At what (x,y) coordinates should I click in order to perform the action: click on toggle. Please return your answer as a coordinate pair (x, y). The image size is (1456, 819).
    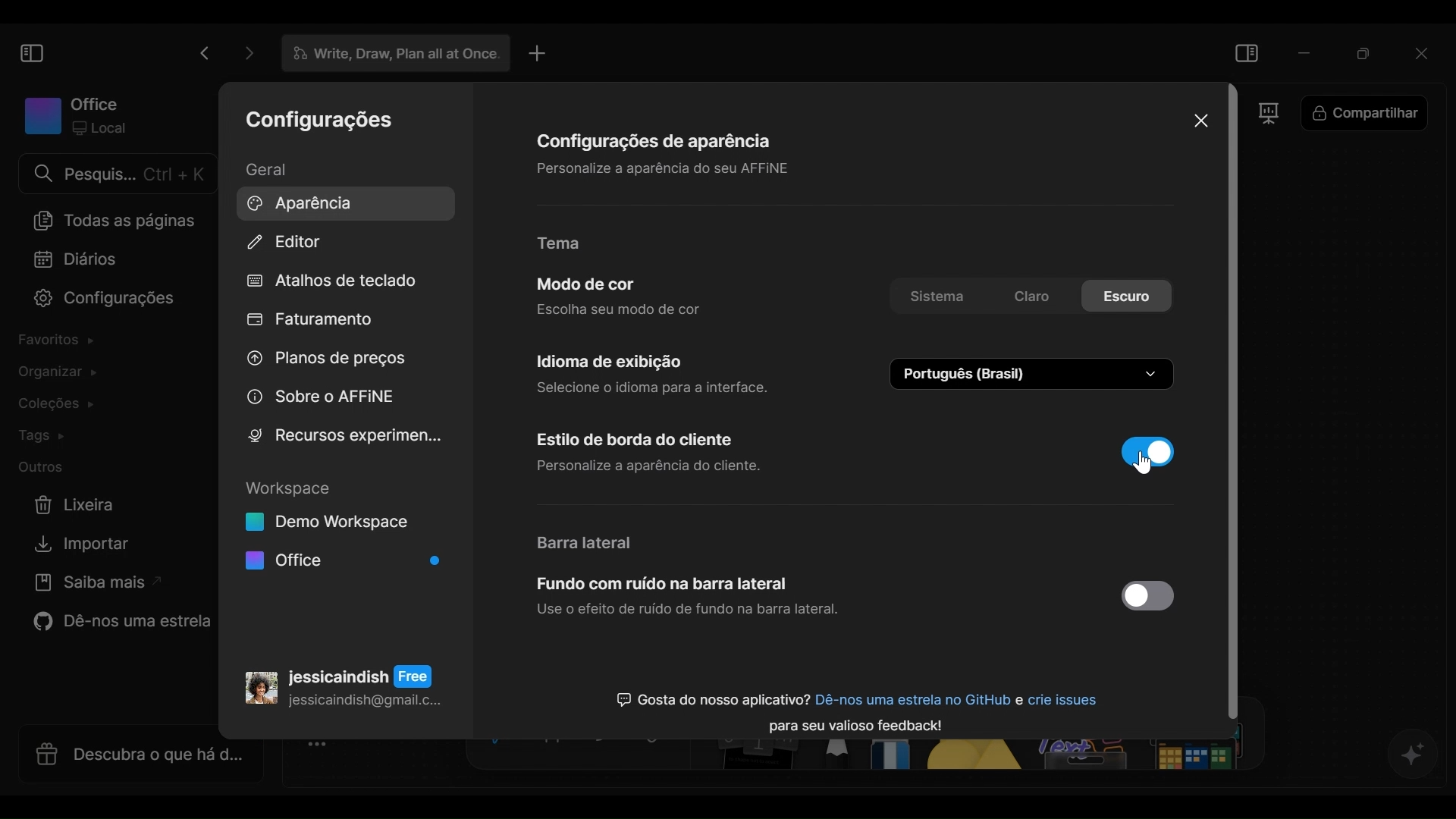
    Looking at the image, I should click on (1148, 450).